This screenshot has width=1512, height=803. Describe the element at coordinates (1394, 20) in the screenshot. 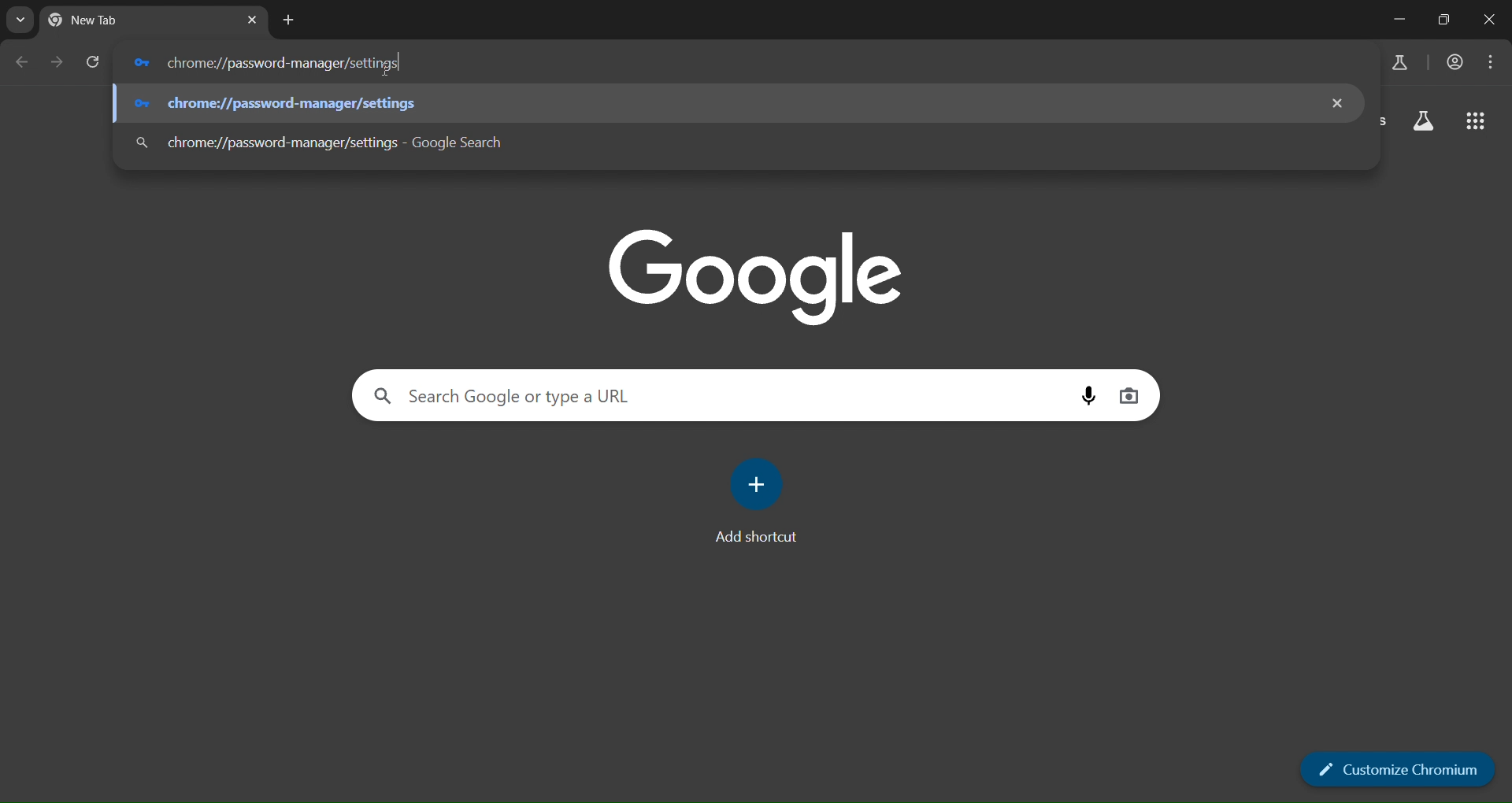

I see `minimize` at that location.